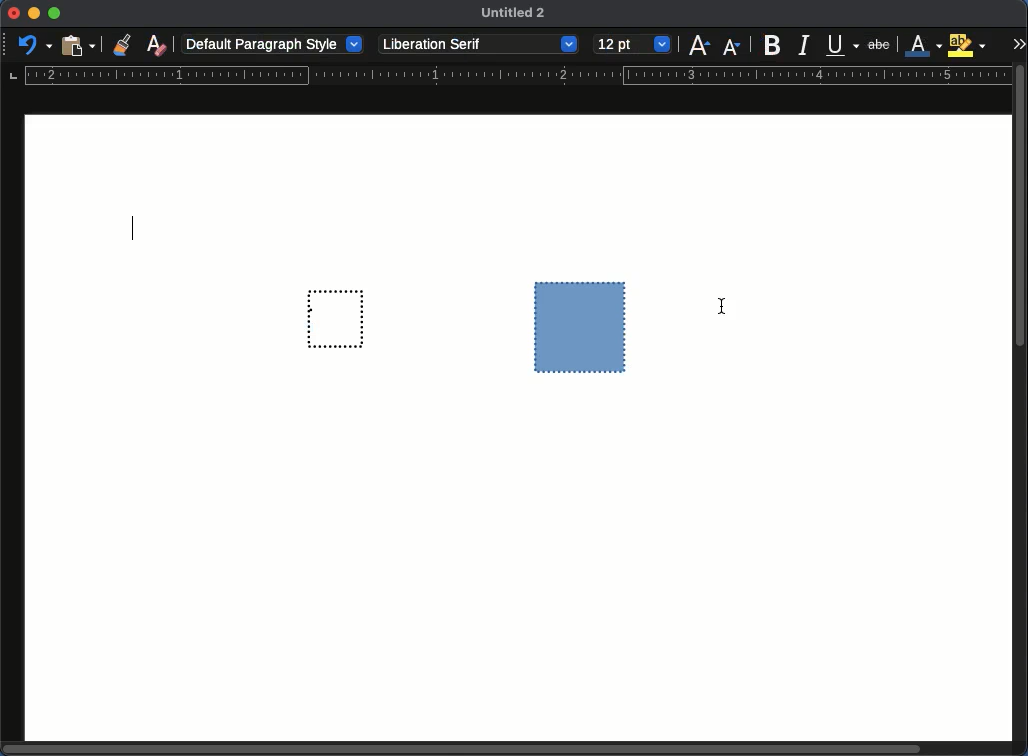  What do you see at coordinates (473, 319) in the screenshot?
I see `grouped` at bounding box center [473, 319].